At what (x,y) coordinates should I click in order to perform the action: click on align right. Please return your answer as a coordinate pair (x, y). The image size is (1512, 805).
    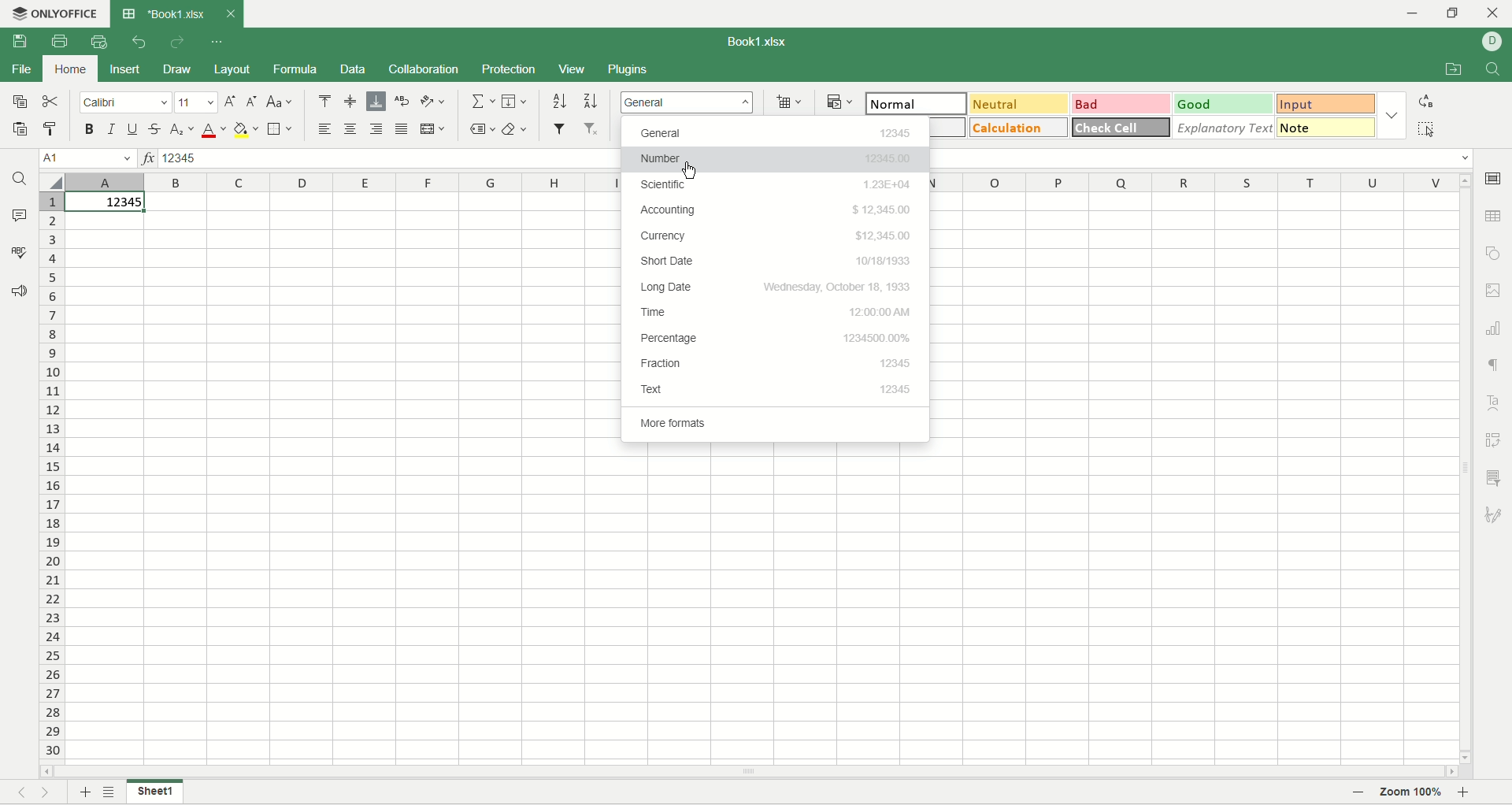
    Looking at the image, I should click on (378, 130).